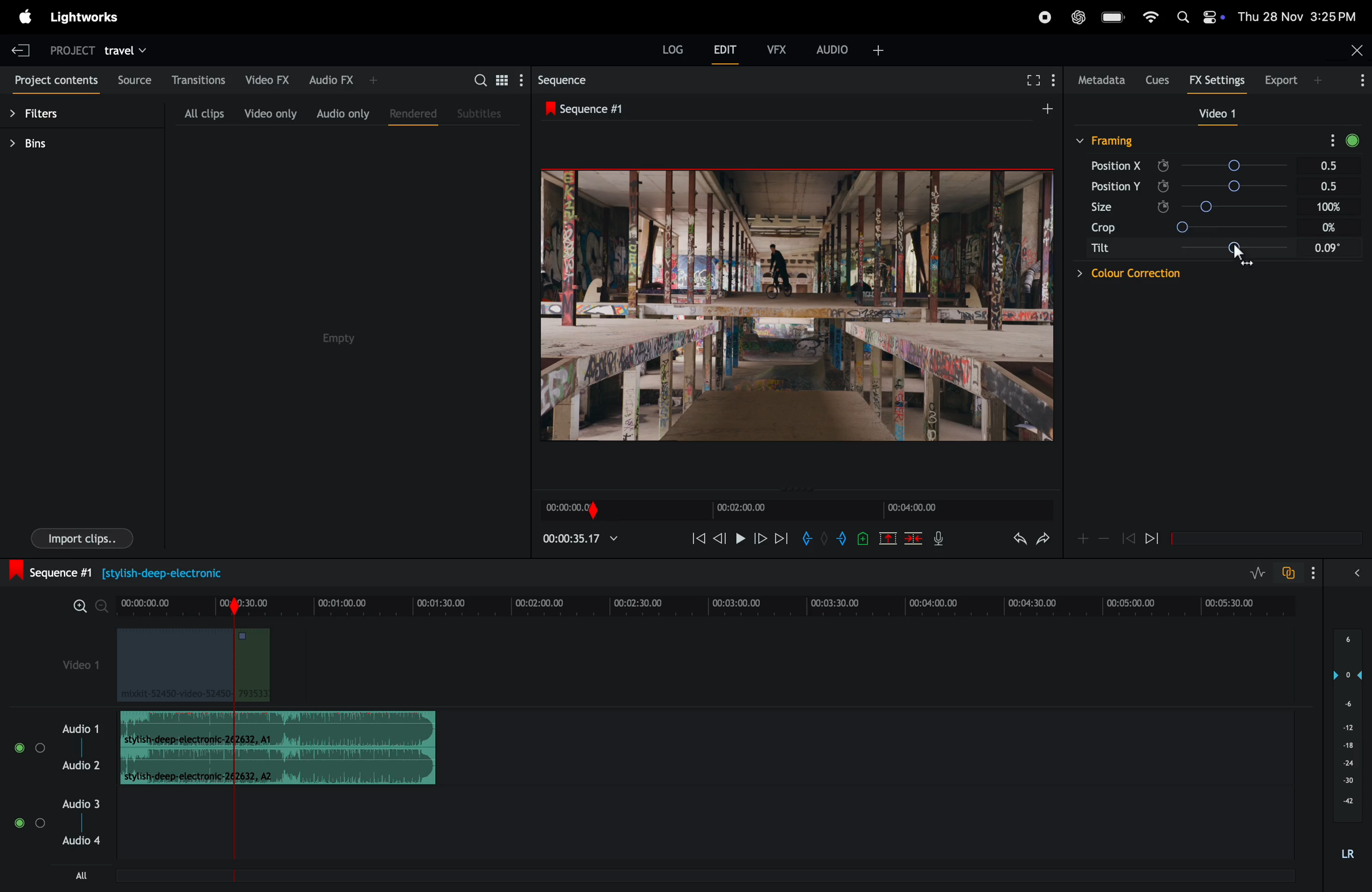  What do you see at coordinates (199, 78) in the screenshot?
I see `transactions` at bounding box center [199, 78].